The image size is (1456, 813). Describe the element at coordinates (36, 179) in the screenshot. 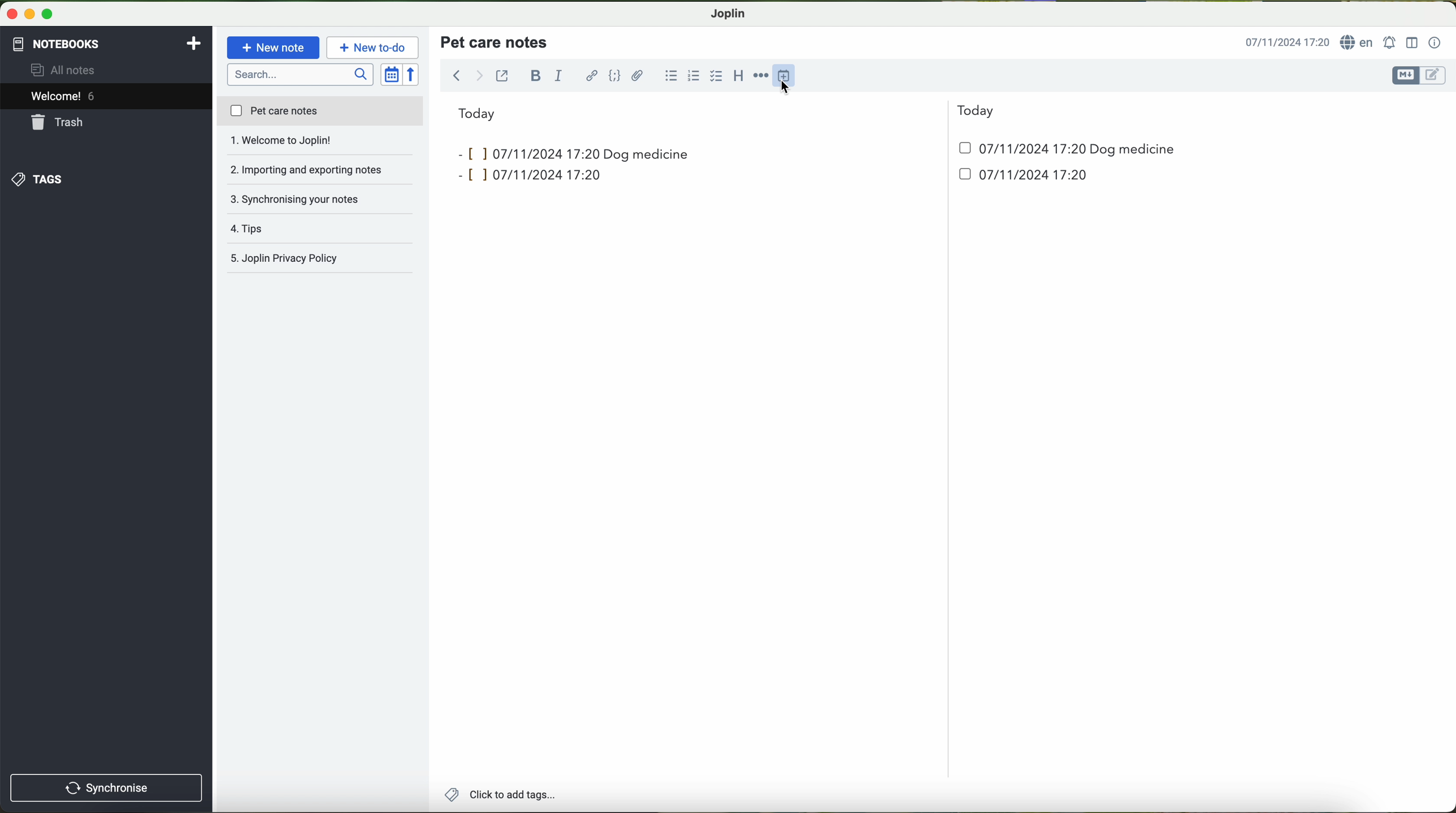

I see `tags` at that location.